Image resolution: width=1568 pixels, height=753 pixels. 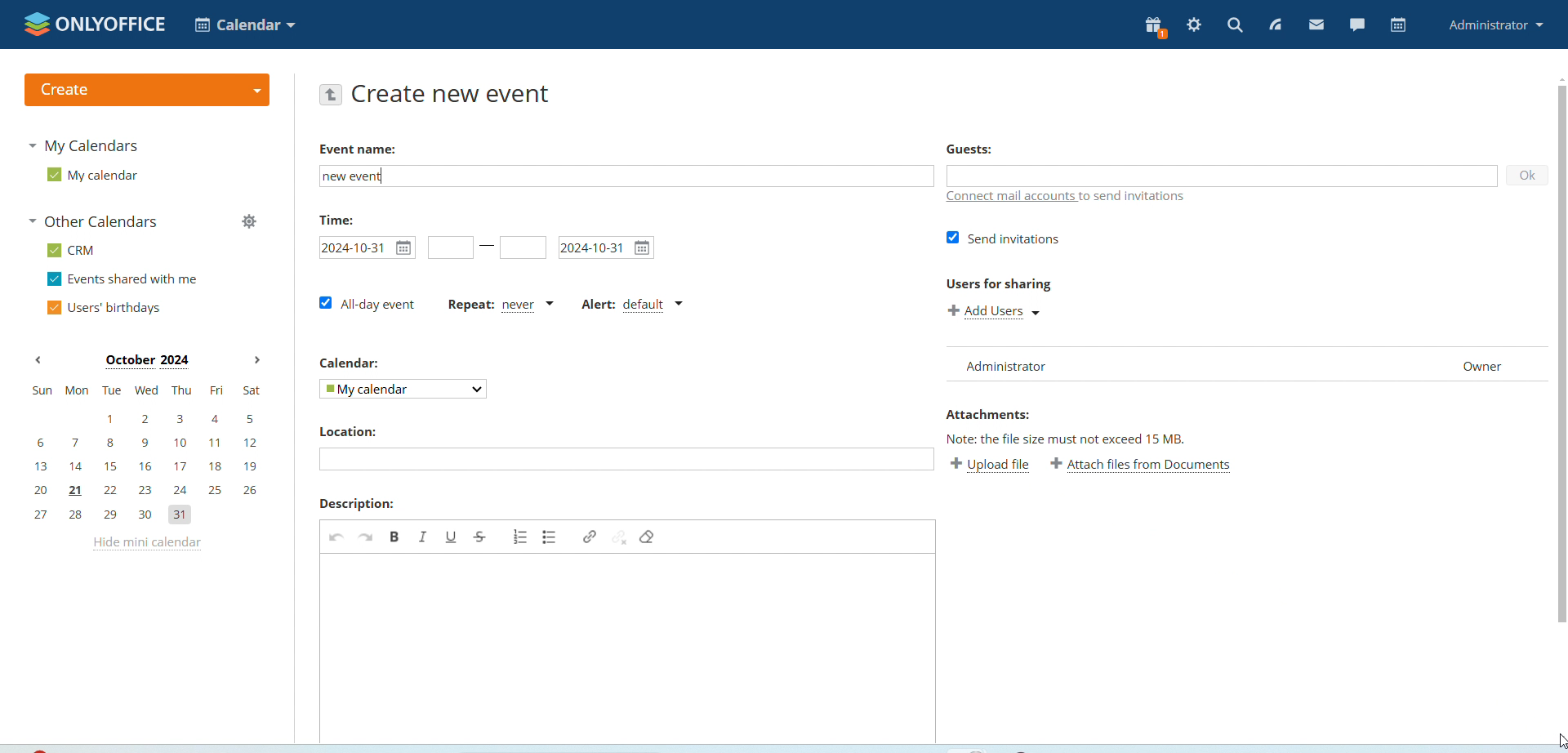 What do you see at coordinates (450, 247) in the screenshot?
I see `event start time` at bounding box center [450, 247].